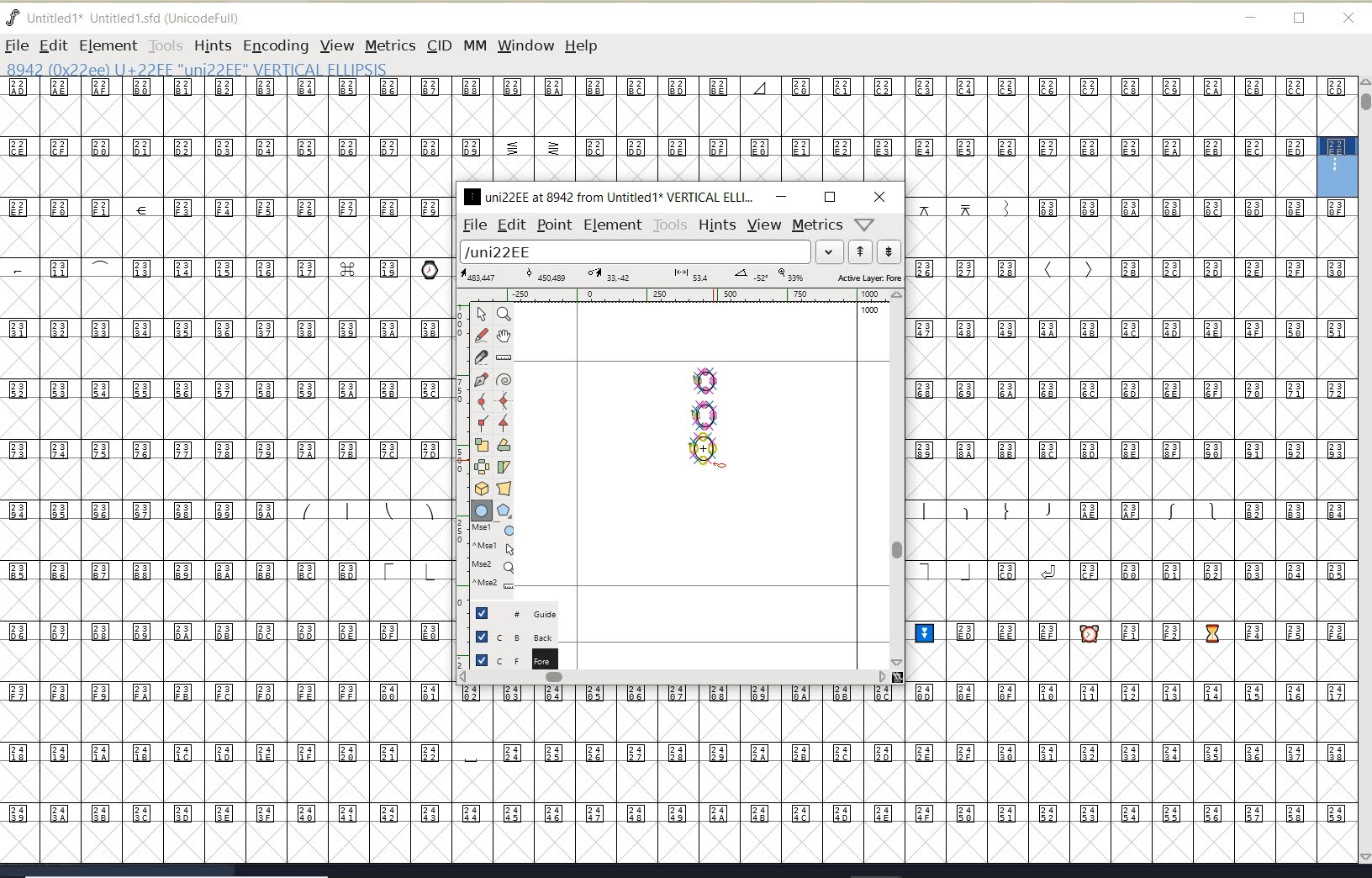 The width and height of the screenshot is (1372, 878). Describe the element at coordinates (141, 16) in the screenshot. I see `untitled1* Untitled 1.sfd (UnicodeFull)` at that location.